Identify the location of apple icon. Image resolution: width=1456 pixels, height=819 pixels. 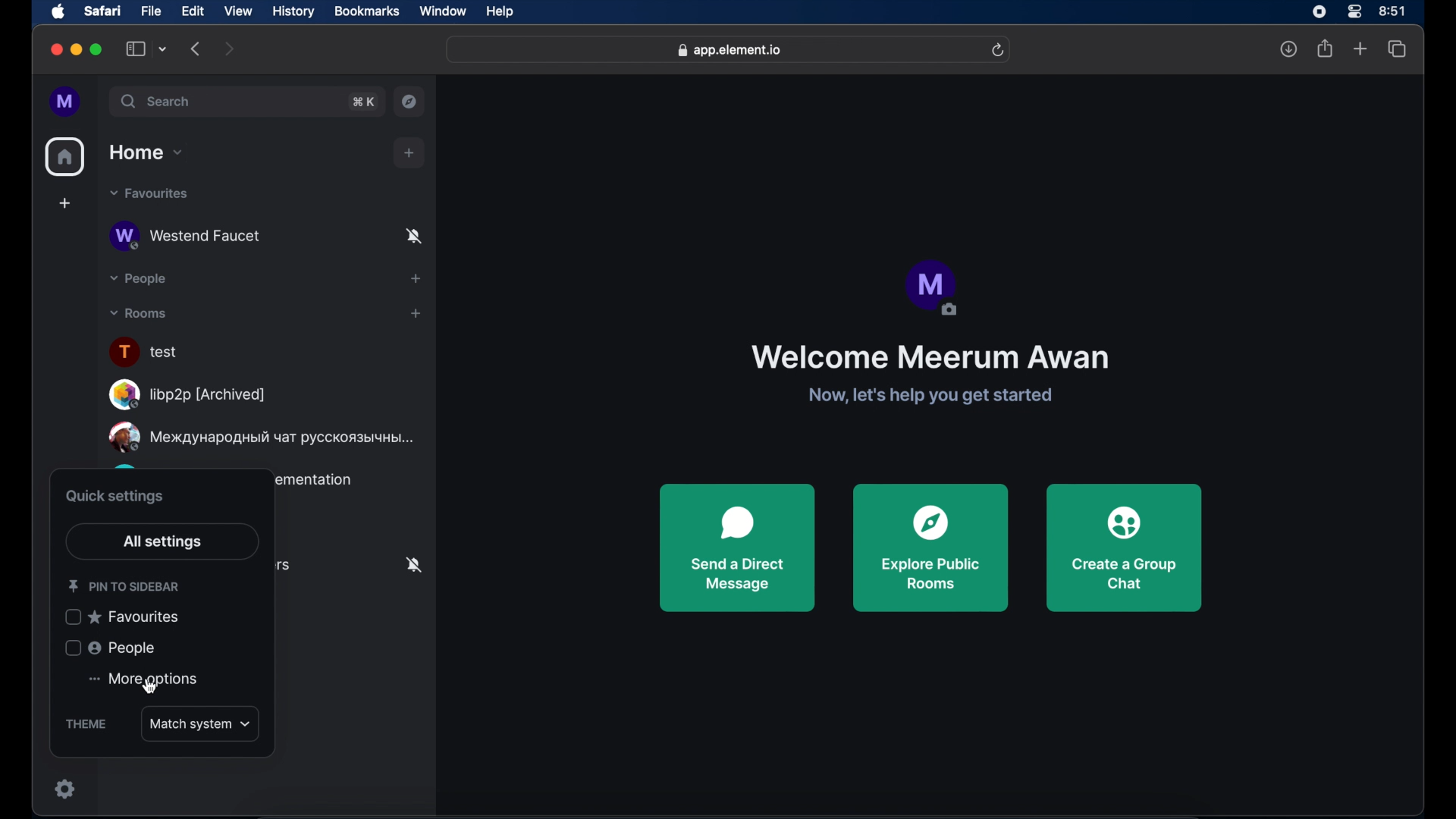
(58, 12).